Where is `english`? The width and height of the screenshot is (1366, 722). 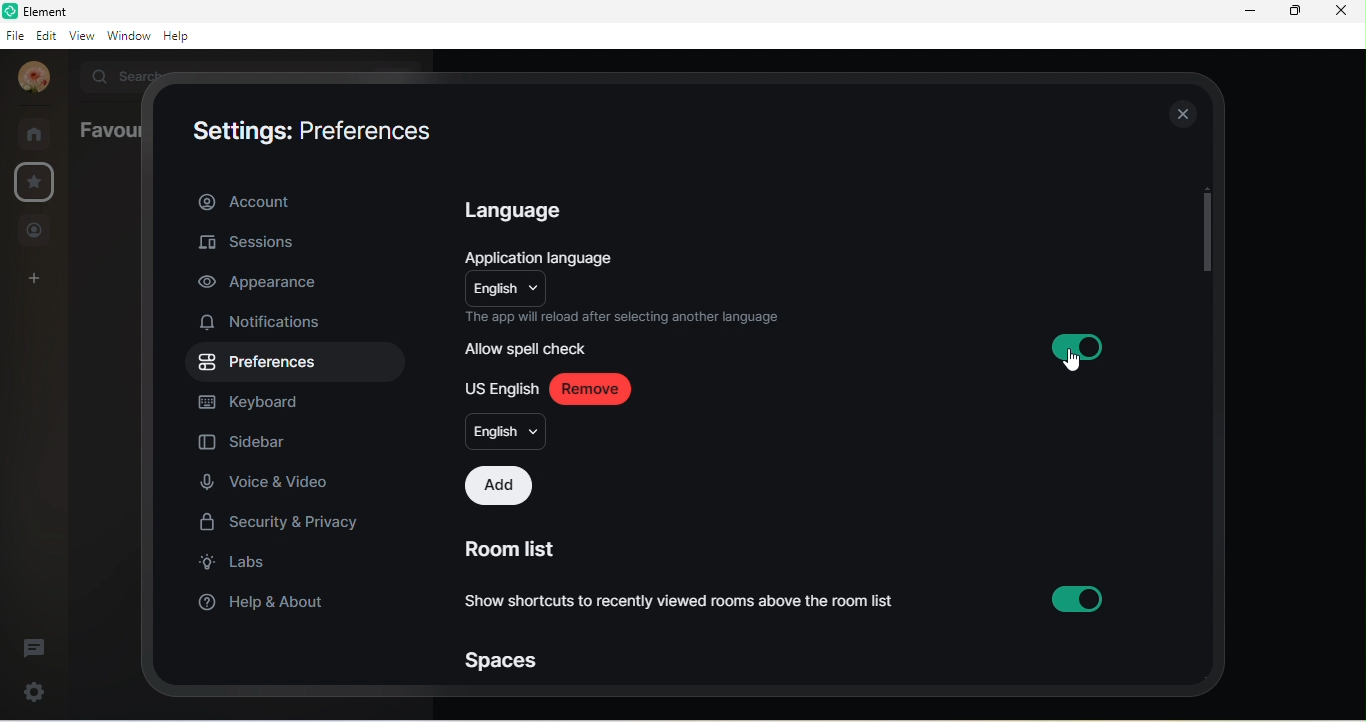
english is located at coordinates (505, 432).